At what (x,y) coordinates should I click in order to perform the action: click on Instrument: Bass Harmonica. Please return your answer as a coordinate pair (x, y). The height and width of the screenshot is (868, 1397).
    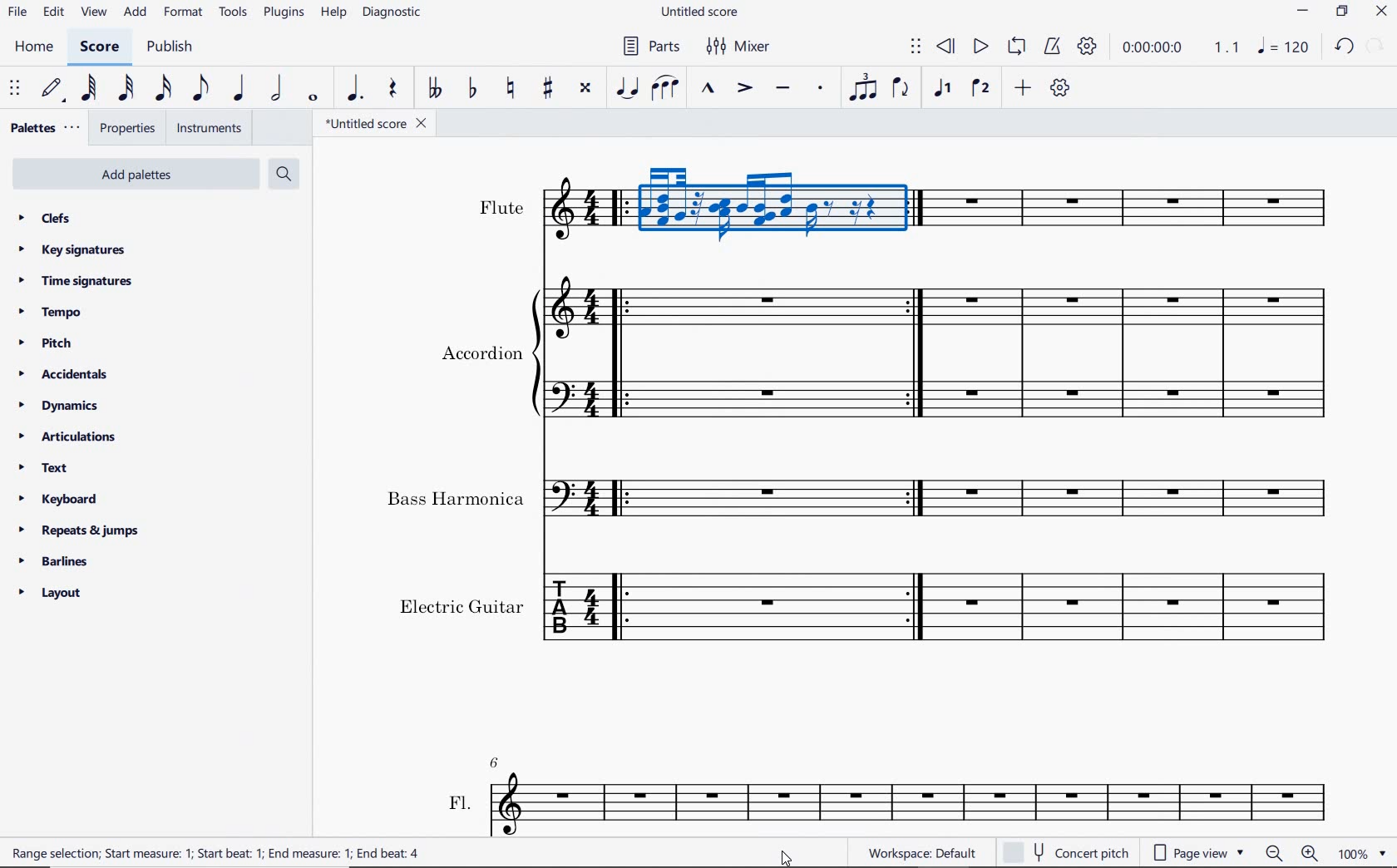
    Looking at the image, I should click on (863, 492).